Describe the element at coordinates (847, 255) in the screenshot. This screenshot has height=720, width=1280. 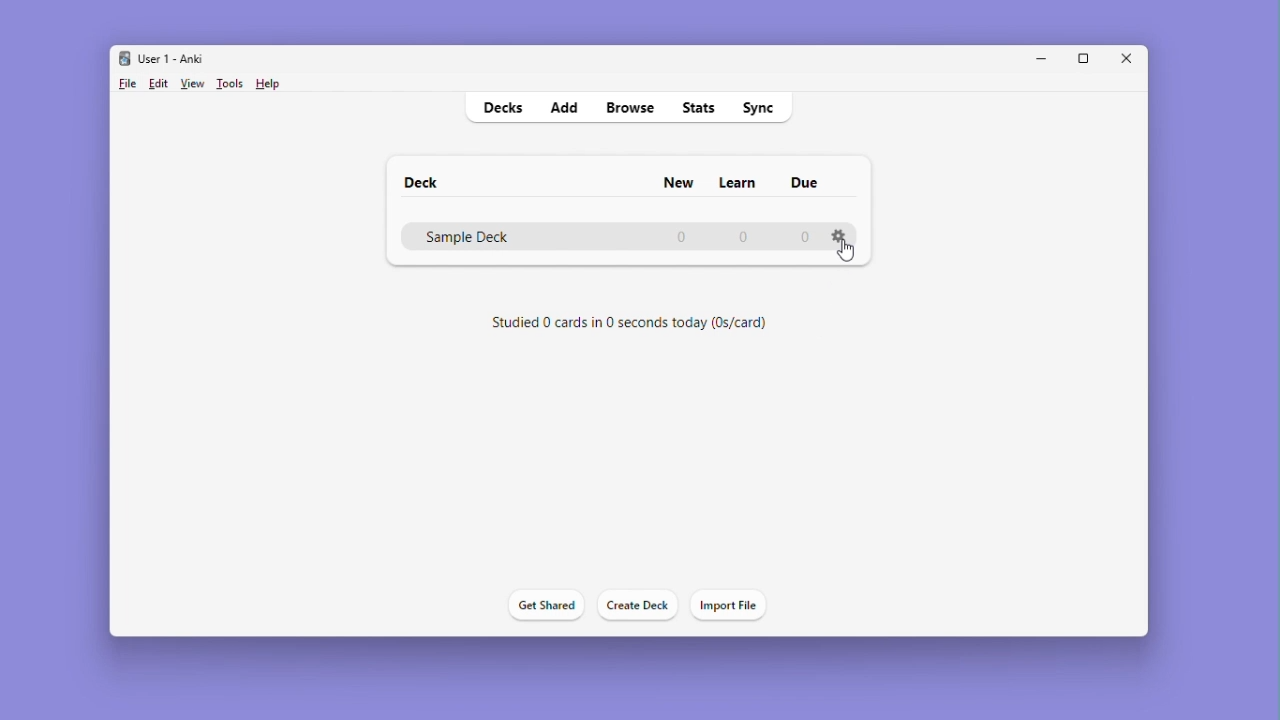
I see `cursor` at that location.